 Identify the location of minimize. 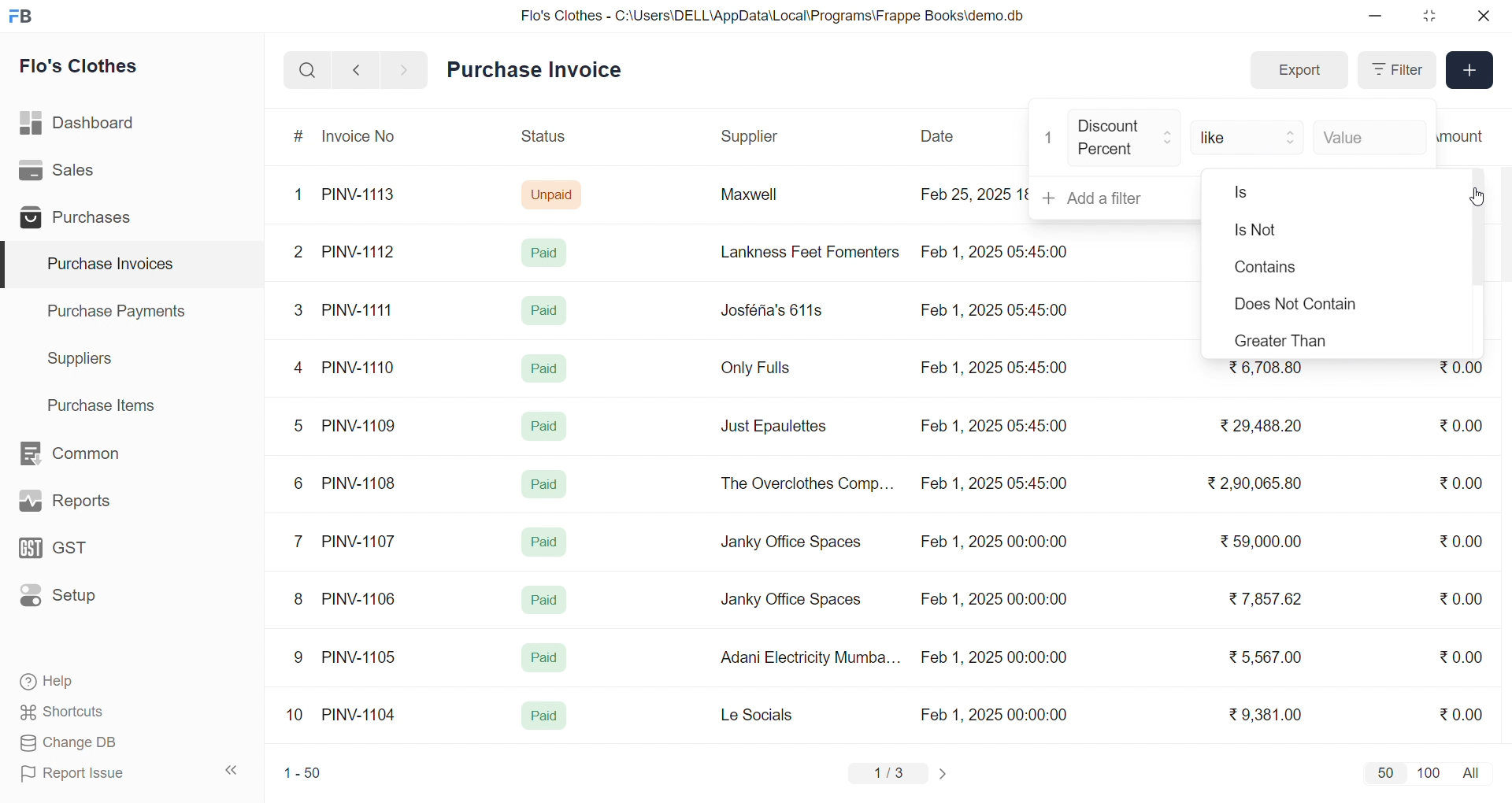
(1377, 17).